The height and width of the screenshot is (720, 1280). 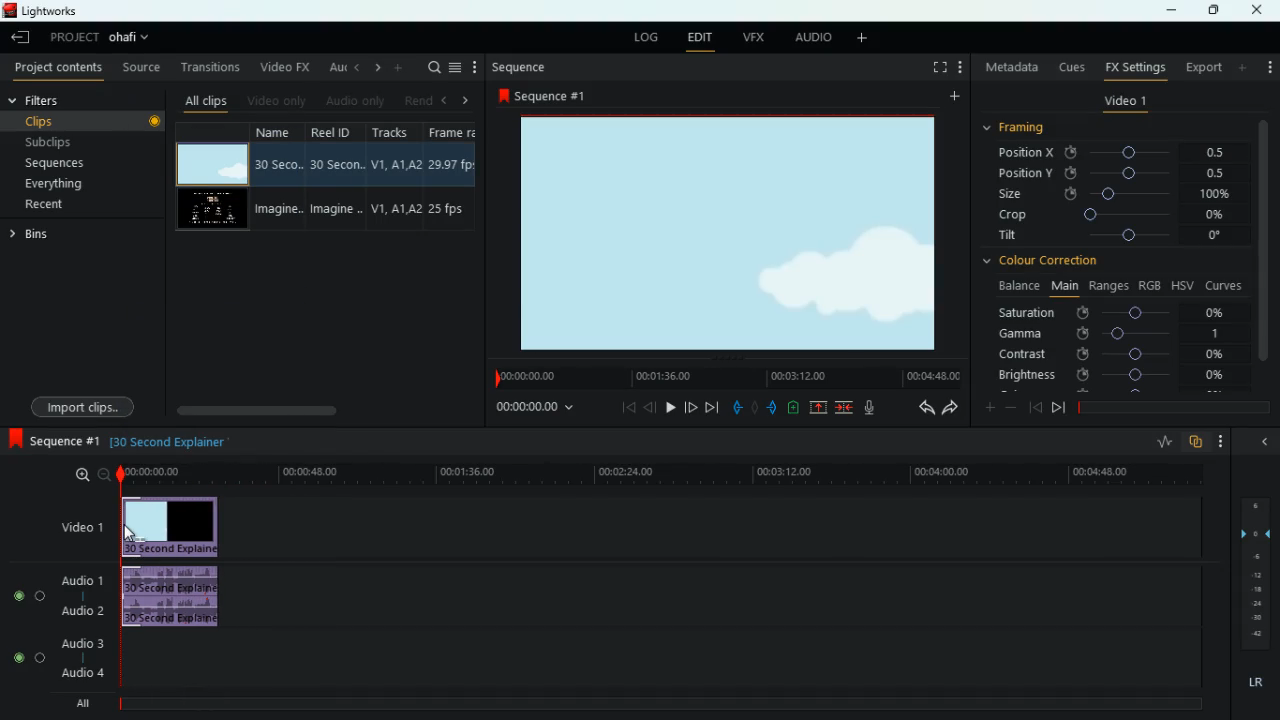 What do you see at coordinates (400, 68) in the screenshot?
I see `more` at bounding box center [400, 68].